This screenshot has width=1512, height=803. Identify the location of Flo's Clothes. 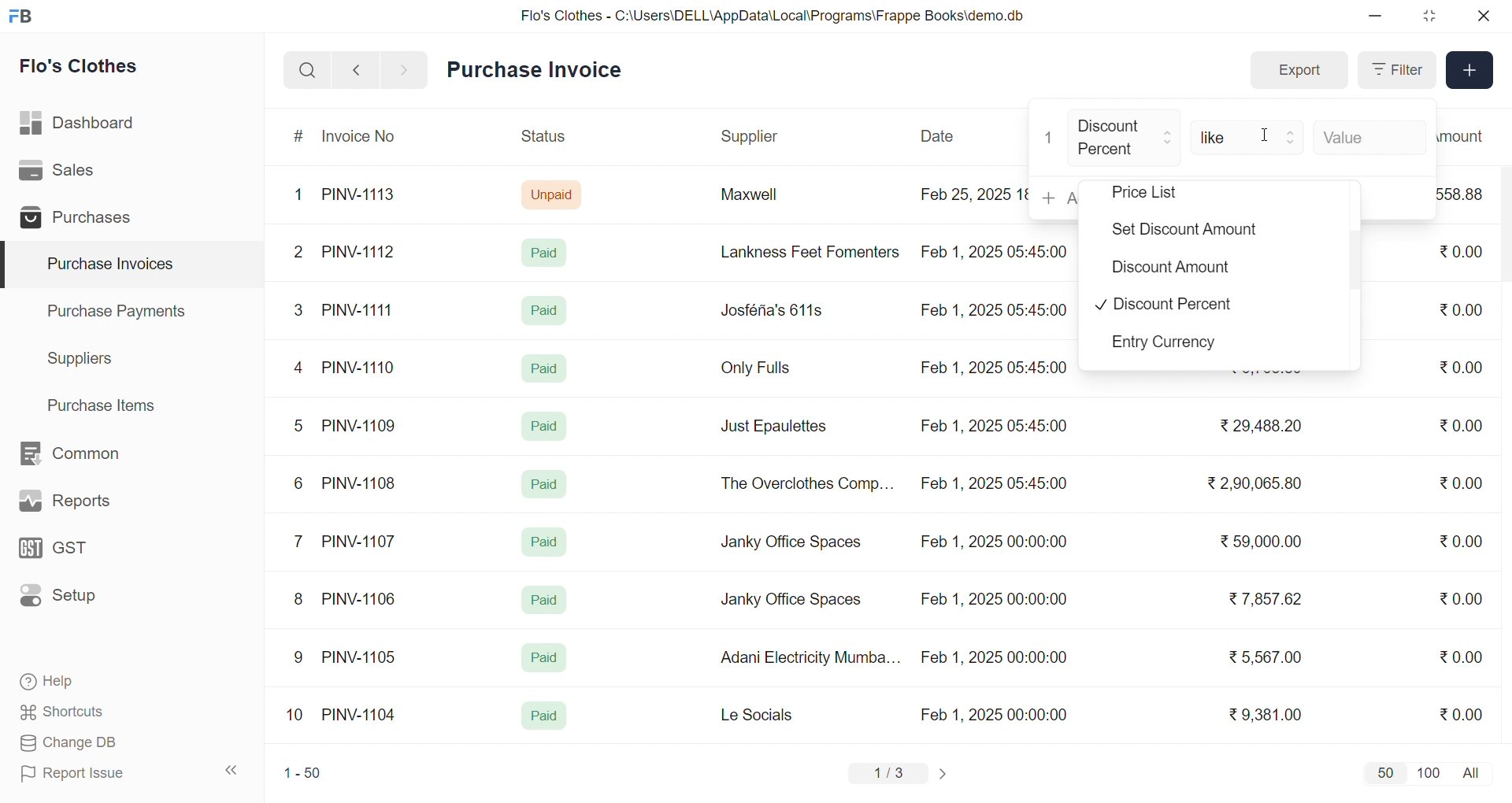
(90, 68).